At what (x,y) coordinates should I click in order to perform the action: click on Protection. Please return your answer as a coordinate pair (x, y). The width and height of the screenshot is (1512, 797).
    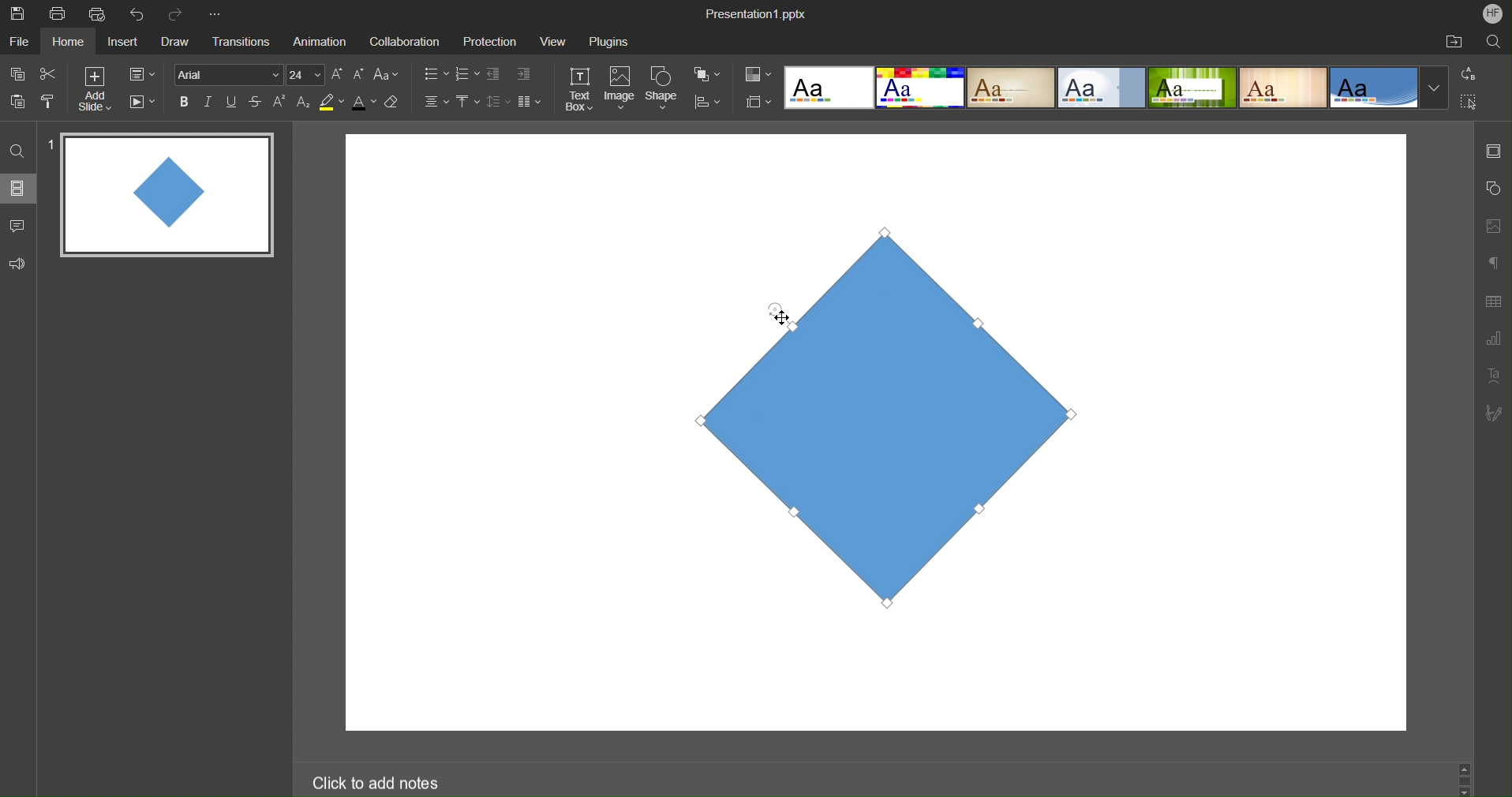
    Looking at the image, I should click on (492, 39).